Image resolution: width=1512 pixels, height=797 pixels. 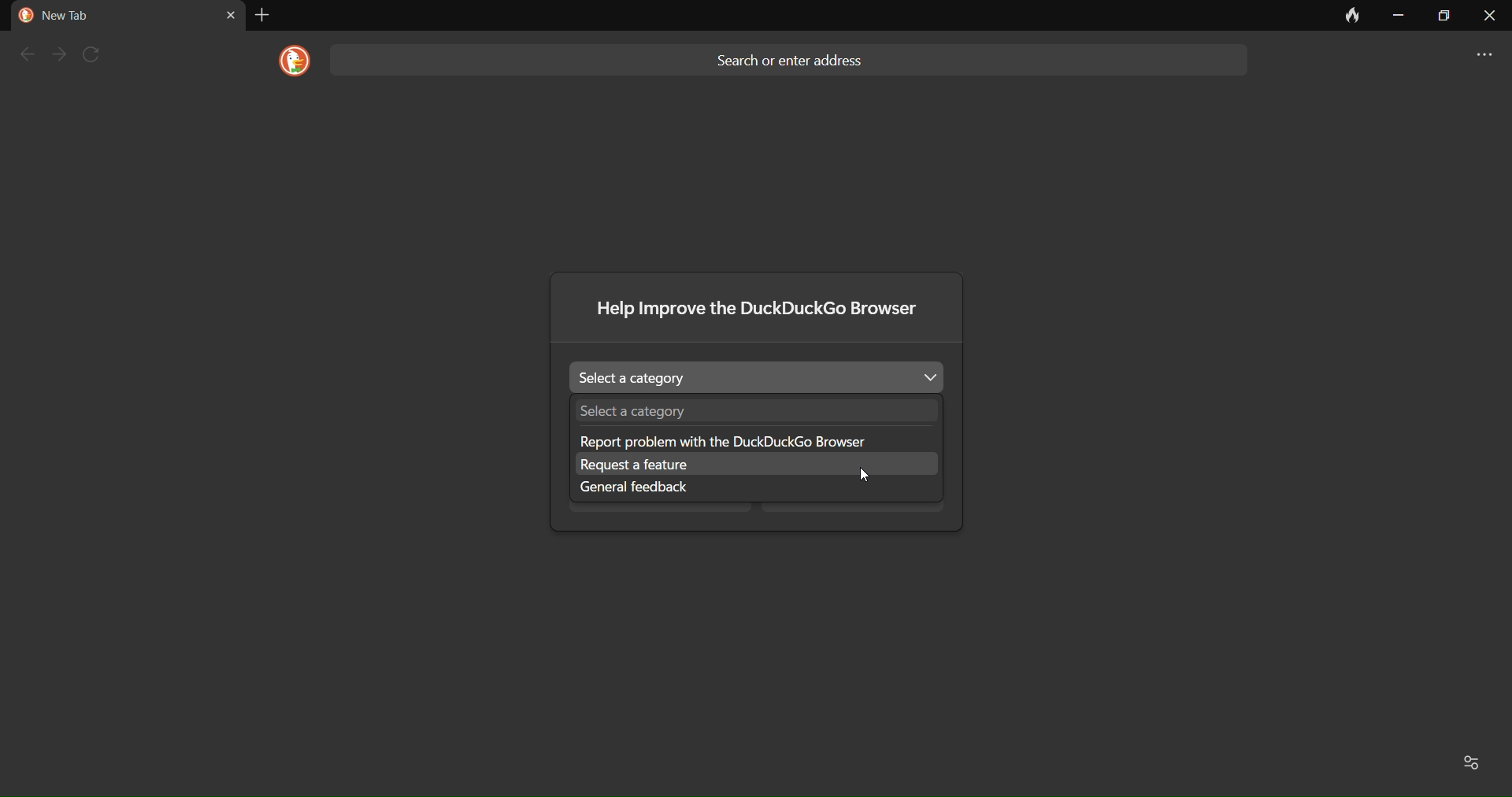 What do you see at coordinates (734, 443) in the screenshot?
I see `Report problem with the DuckDuckGo browser` at bounding box center [734, 443].